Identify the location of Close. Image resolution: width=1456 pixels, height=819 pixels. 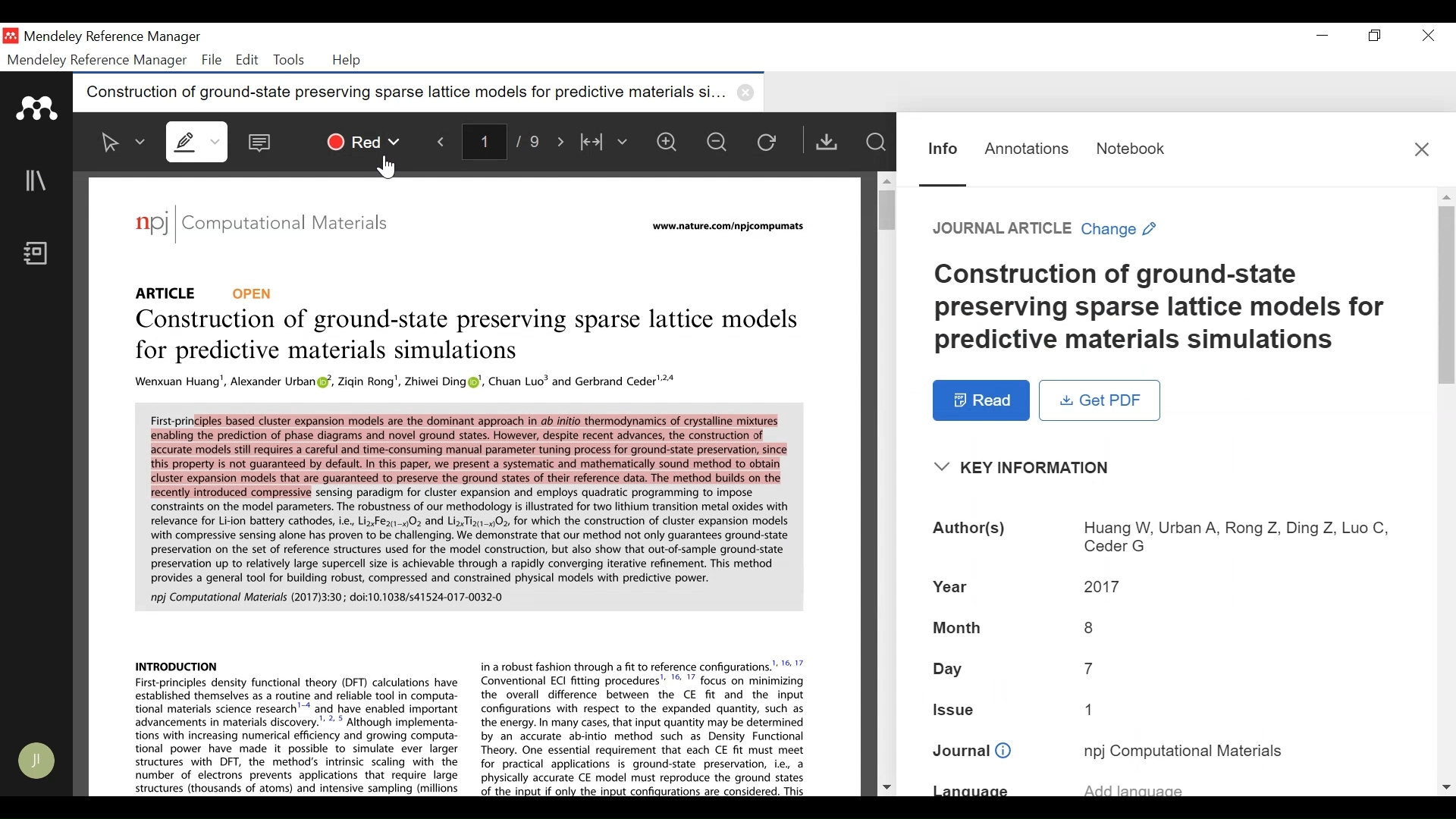
(1429, 36).